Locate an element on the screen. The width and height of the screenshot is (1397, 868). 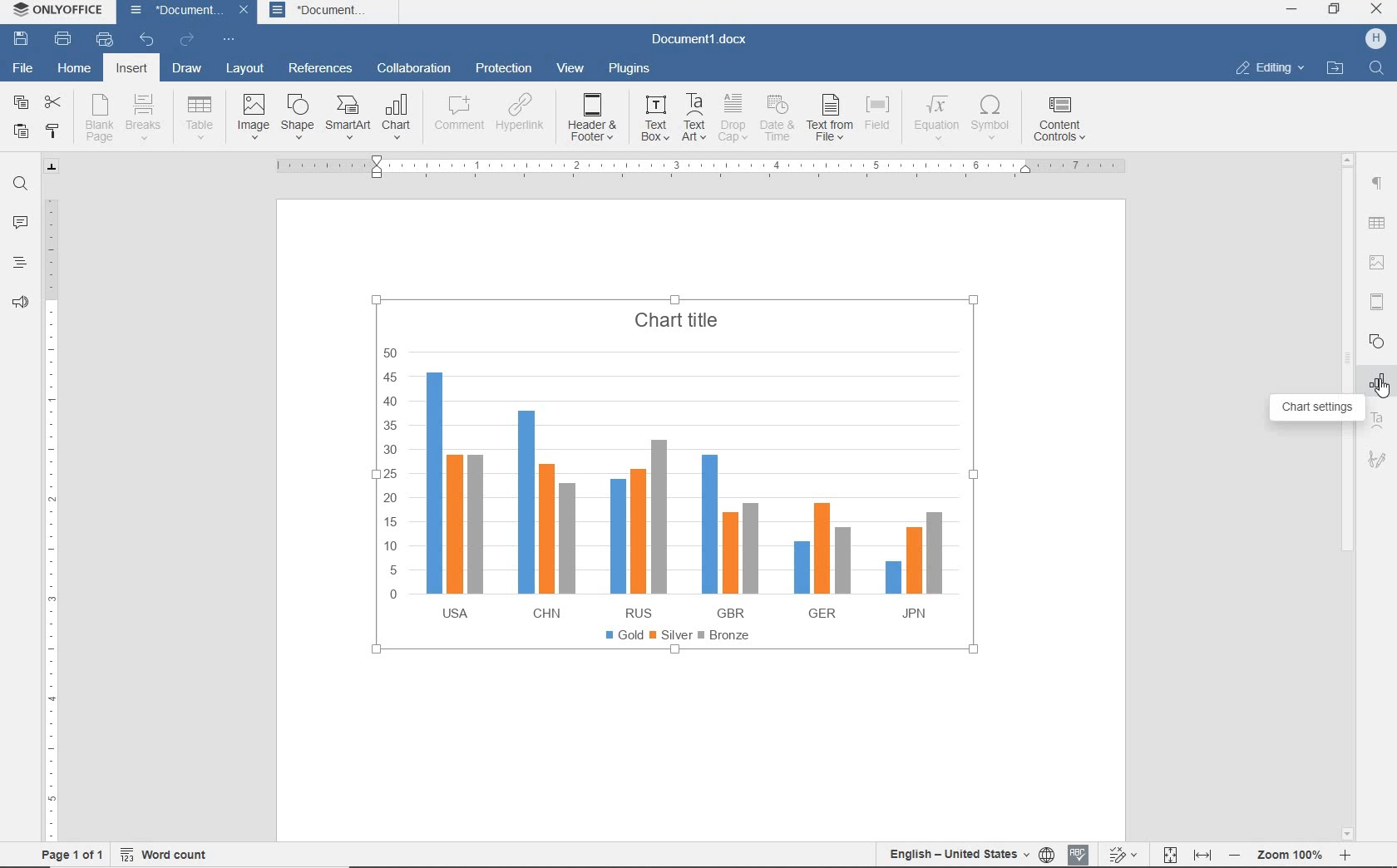
chart is located at coordinates (1379, 382).